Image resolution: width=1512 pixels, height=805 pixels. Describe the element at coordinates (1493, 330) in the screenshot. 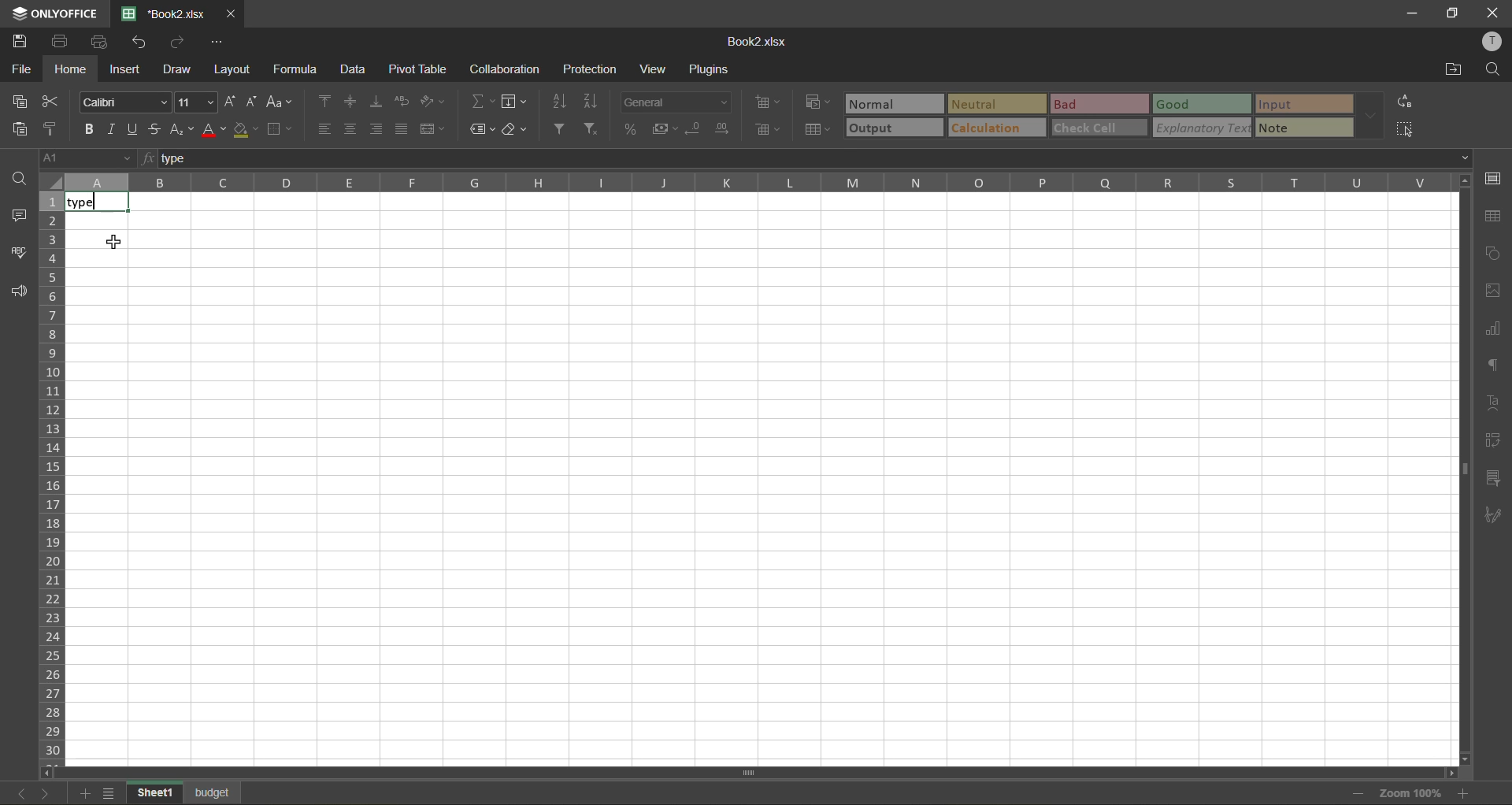

I see `charts` at that location.